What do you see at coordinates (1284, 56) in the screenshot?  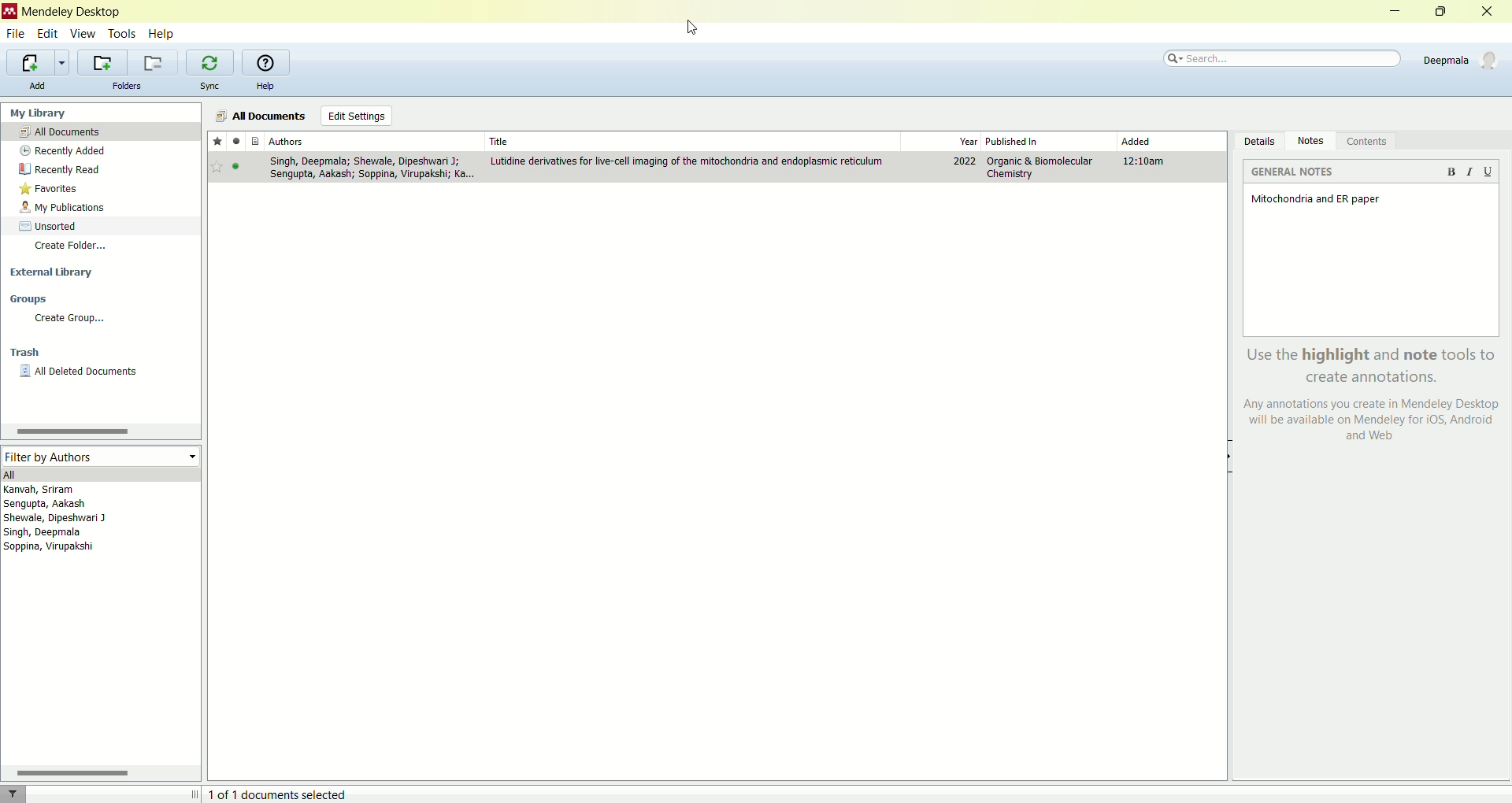 I see `search` at bounding box center [1284, 56].